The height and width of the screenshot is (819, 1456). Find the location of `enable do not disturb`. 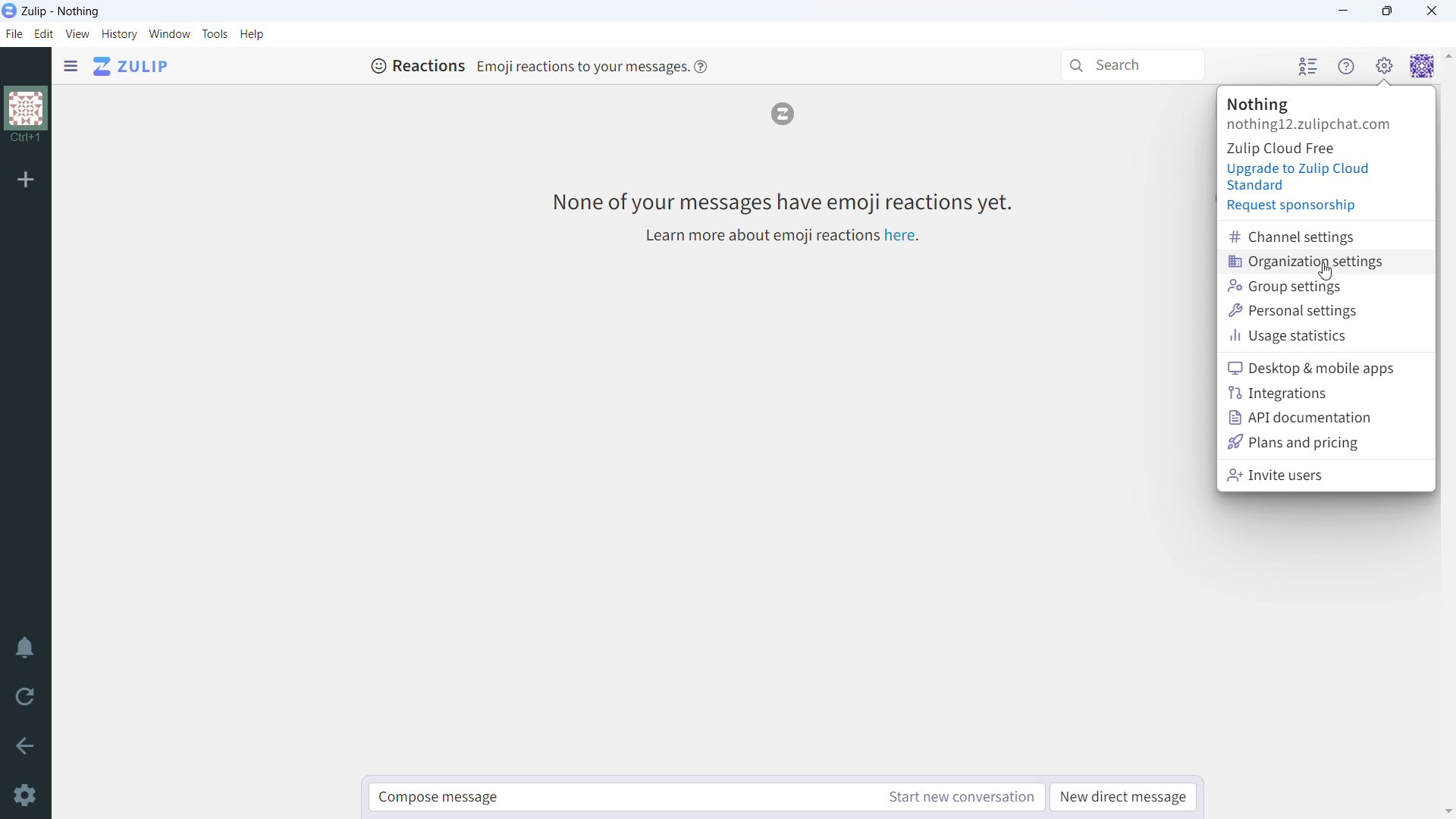

enable do not disturb is located at coordinates (24, 649).